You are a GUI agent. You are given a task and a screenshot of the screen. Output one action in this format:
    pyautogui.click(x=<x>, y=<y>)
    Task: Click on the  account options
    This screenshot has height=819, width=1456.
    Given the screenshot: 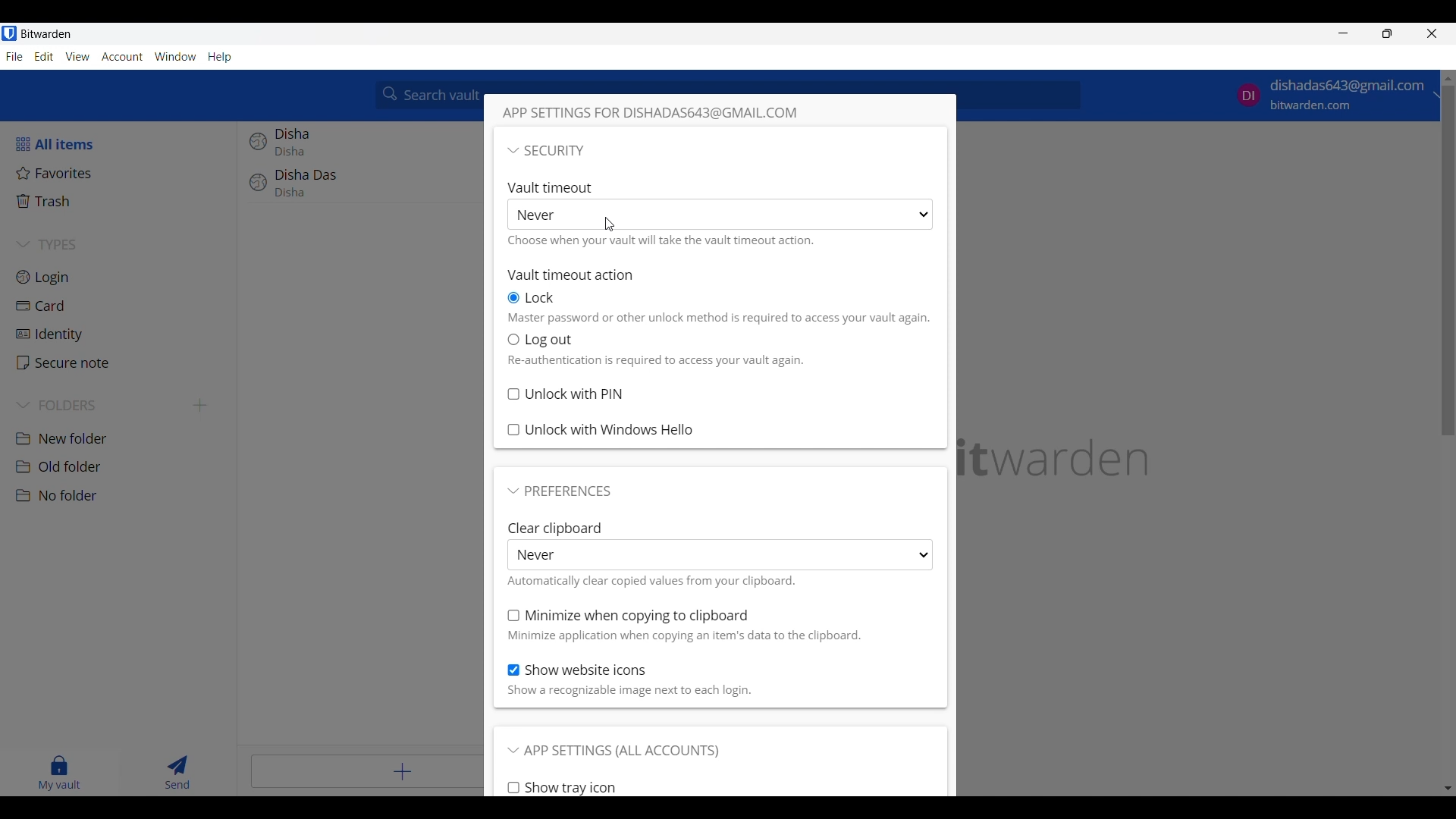 What is the action you would take?
    pyautogui.click(x=1332, y=96)
    